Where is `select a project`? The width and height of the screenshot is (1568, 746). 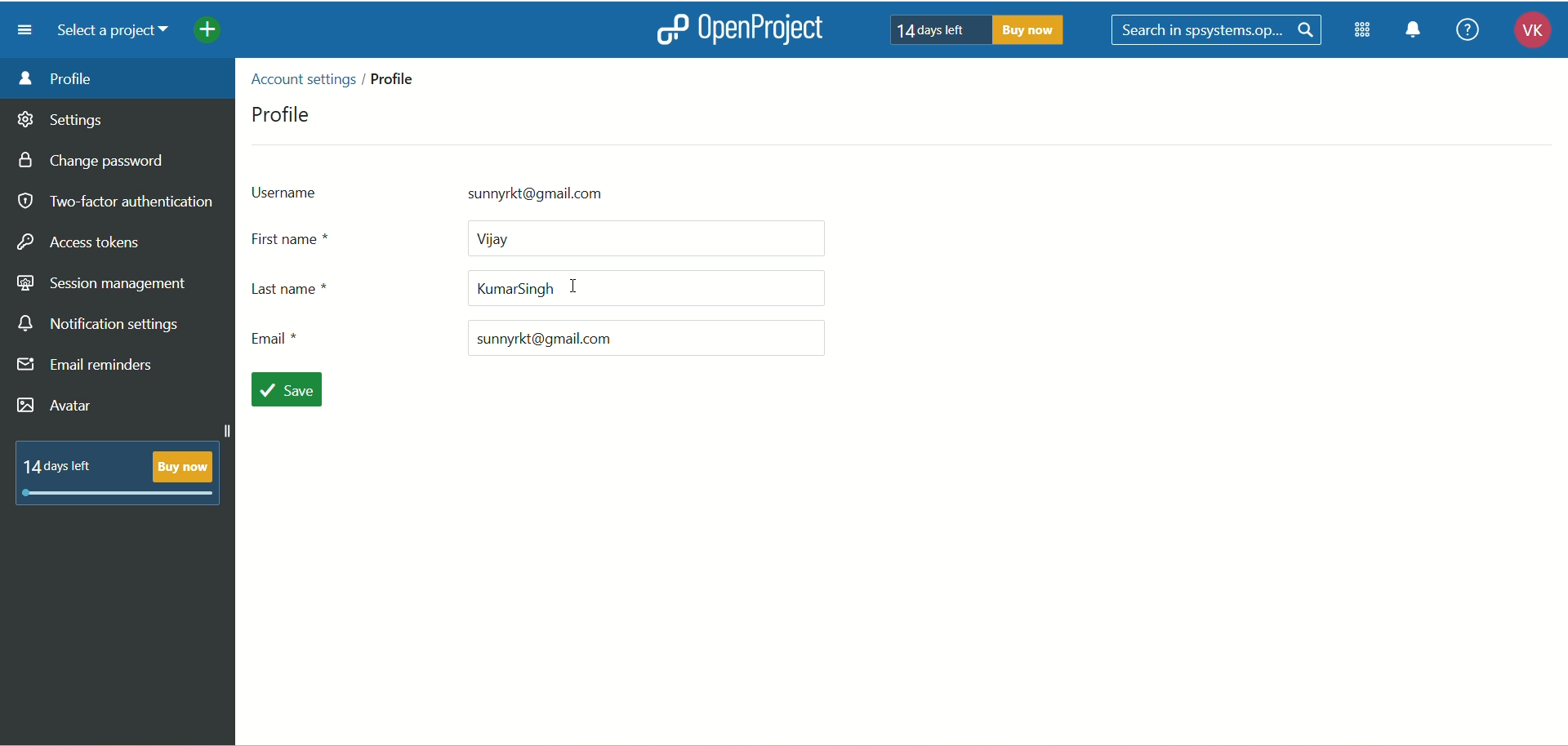 select a project is located at coordinates (119, 33).